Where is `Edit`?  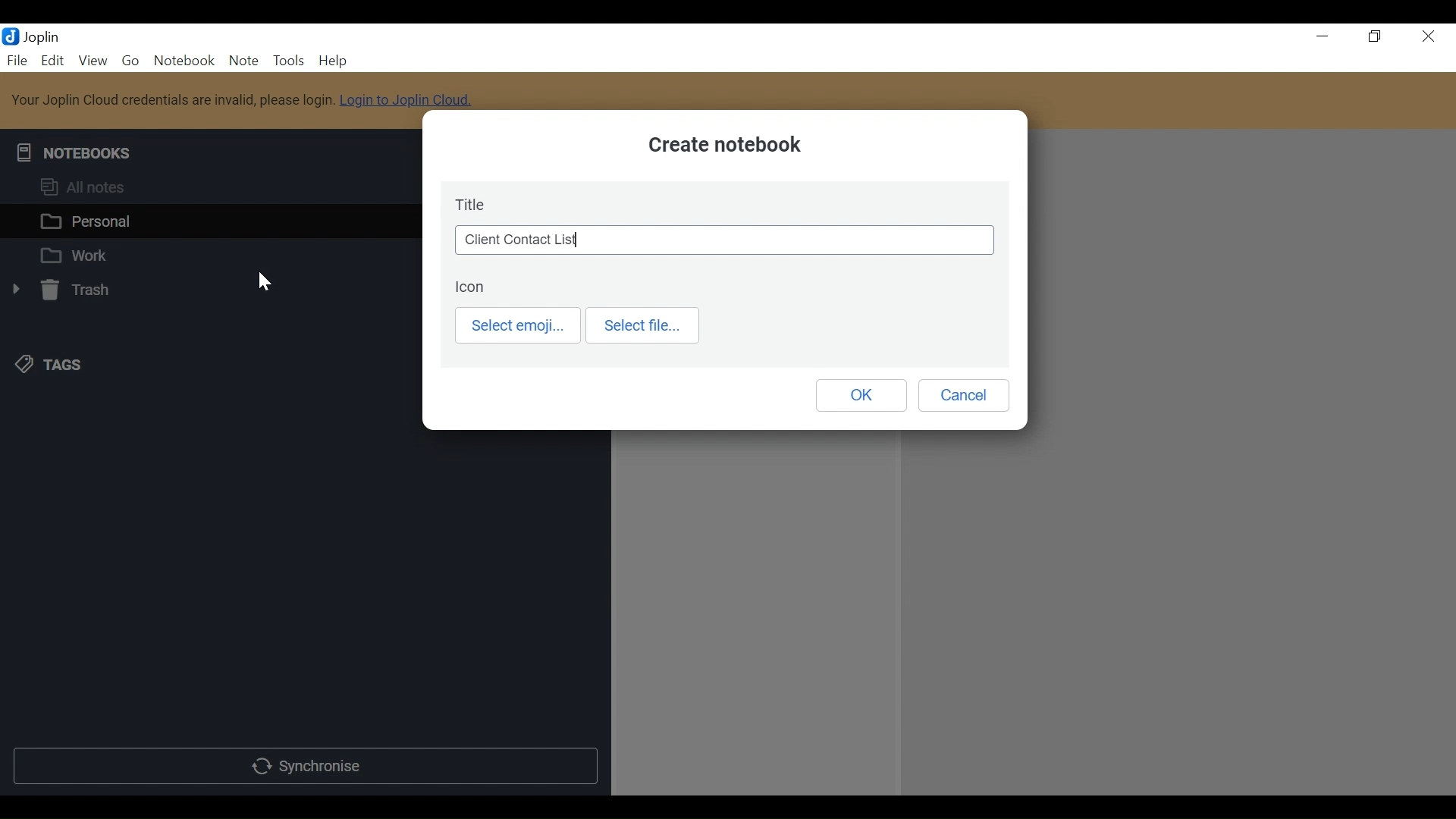 Edit is located at coordinates (54, 60).